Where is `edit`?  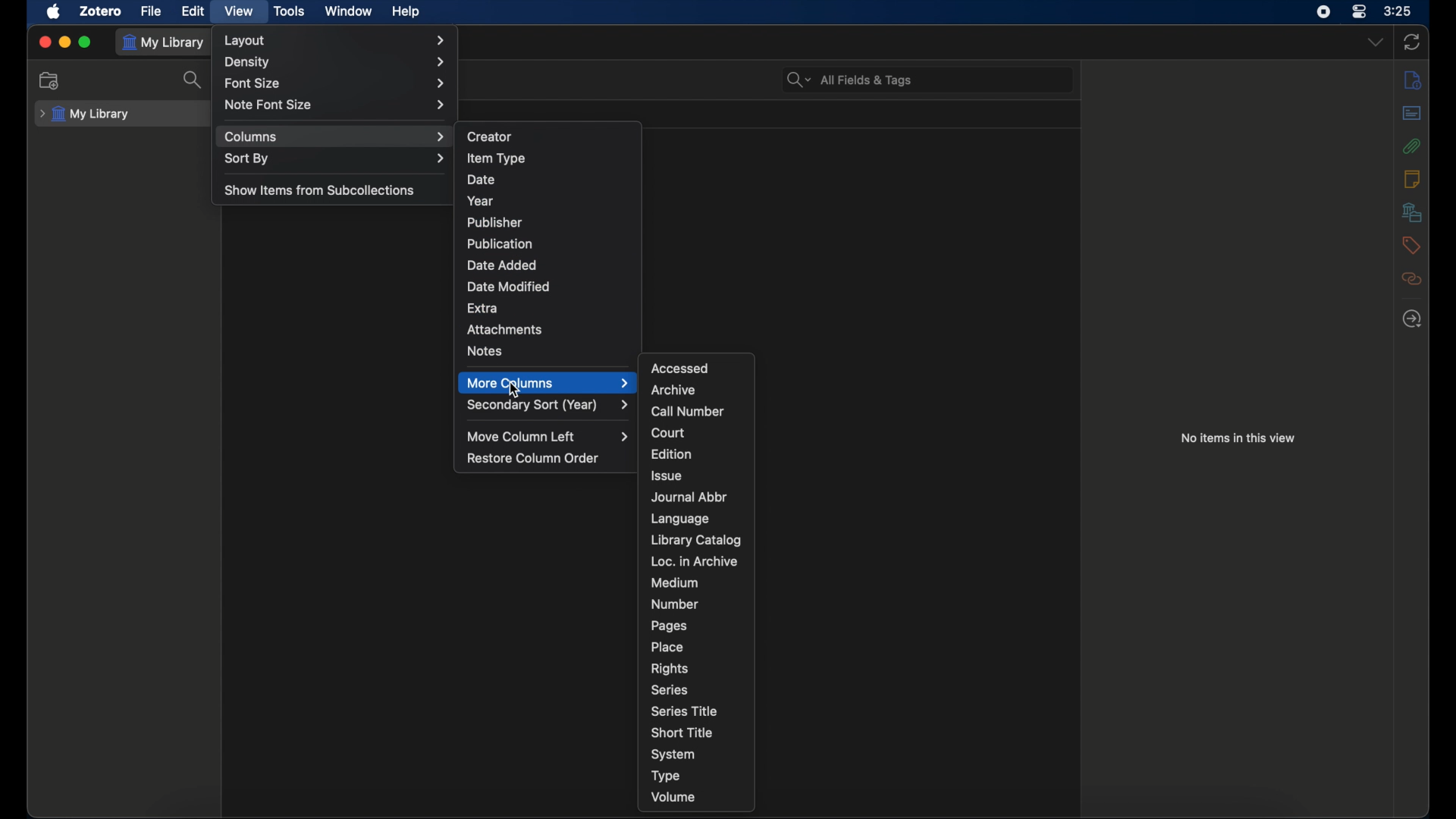
edit is located at coordinates (193, 11).